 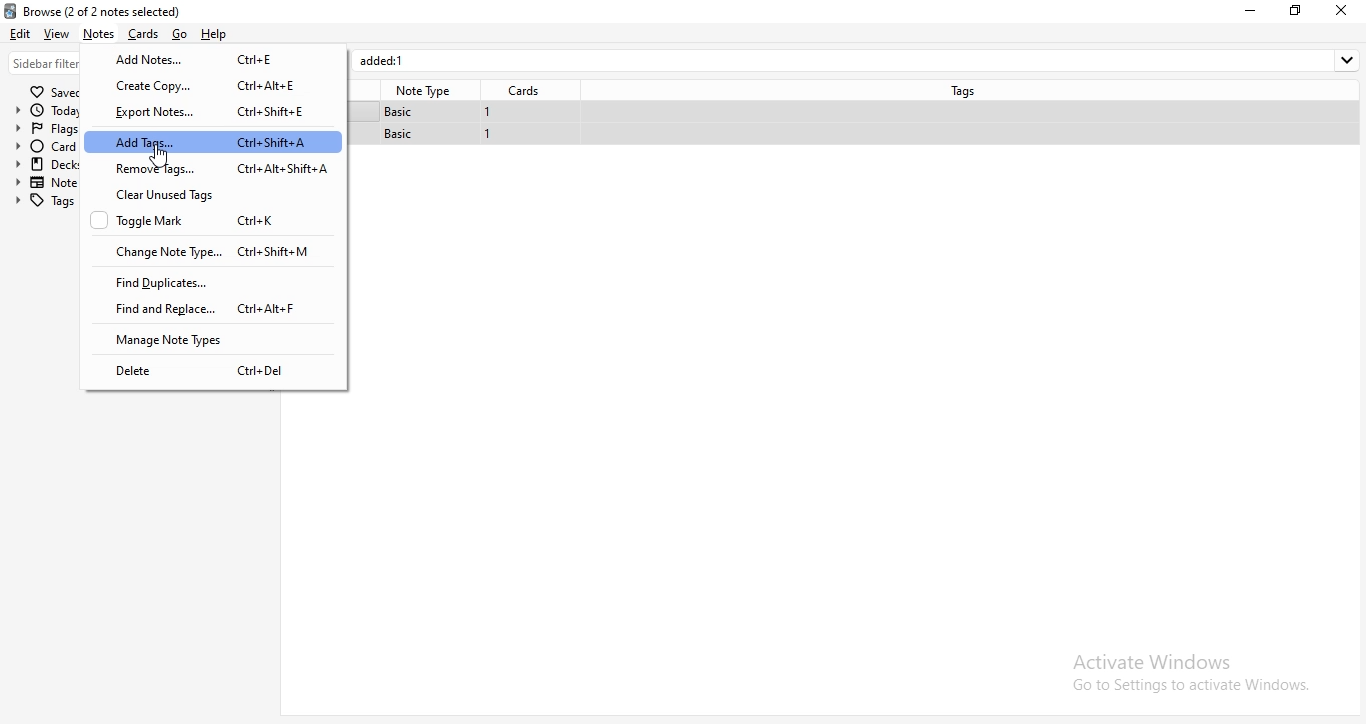 I want to click on basic, so click(x=405, y=111).